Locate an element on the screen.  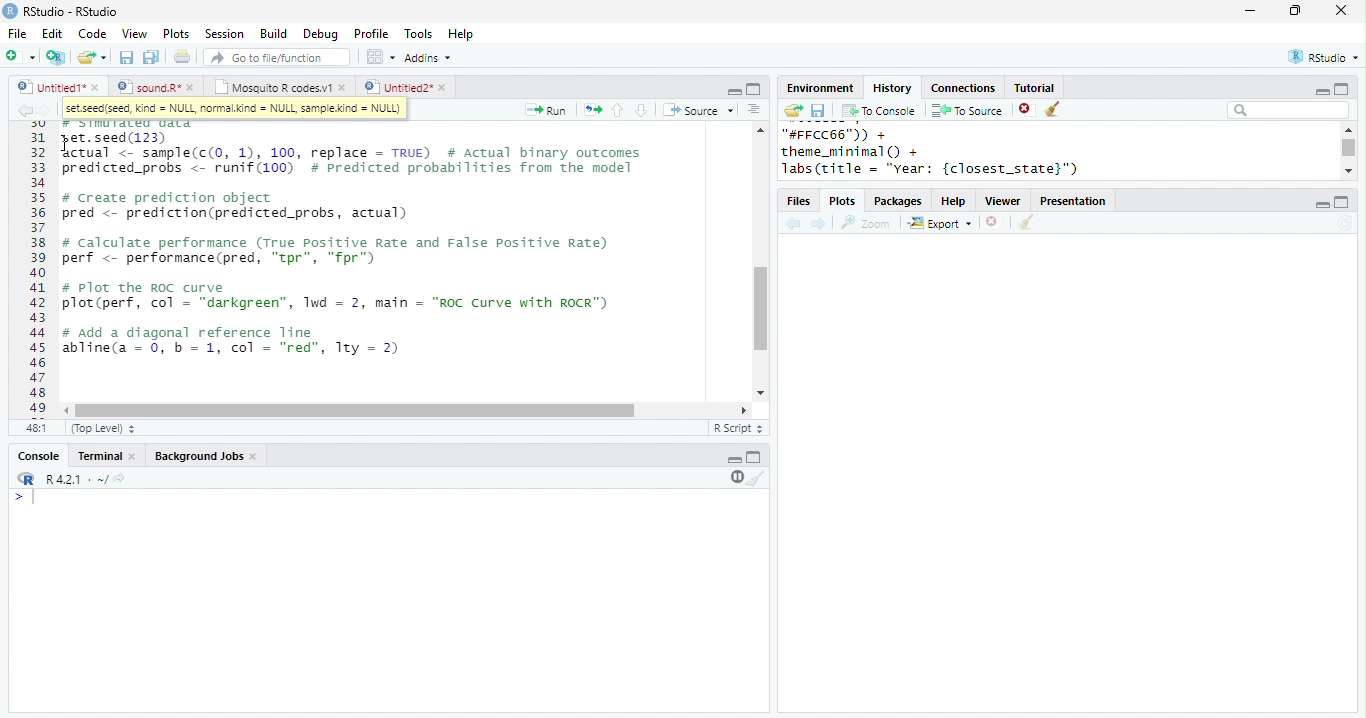
forward is located at coordinates (820, 225).